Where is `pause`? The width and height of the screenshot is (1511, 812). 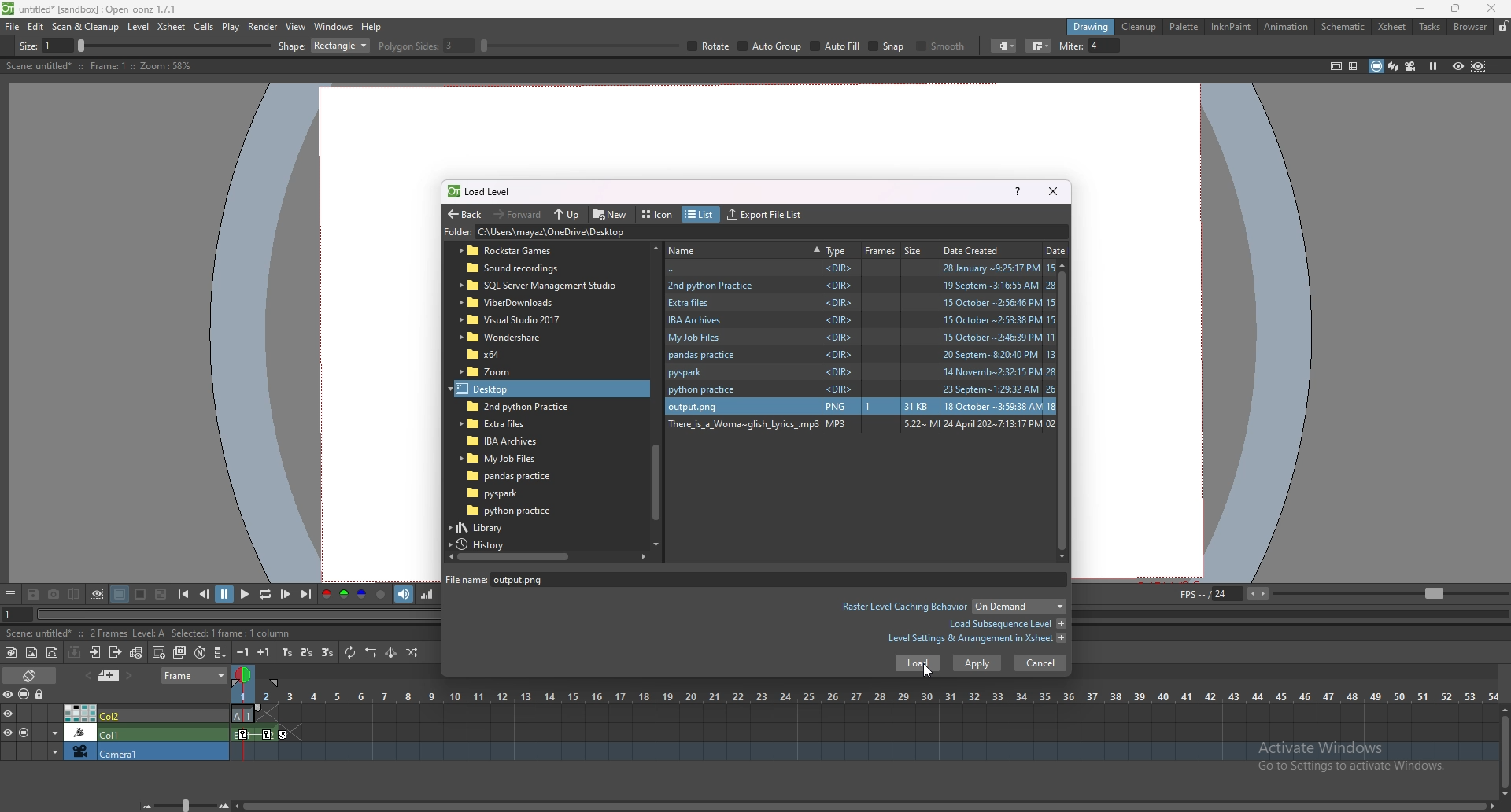 pause is located at coordinates (224, 594).